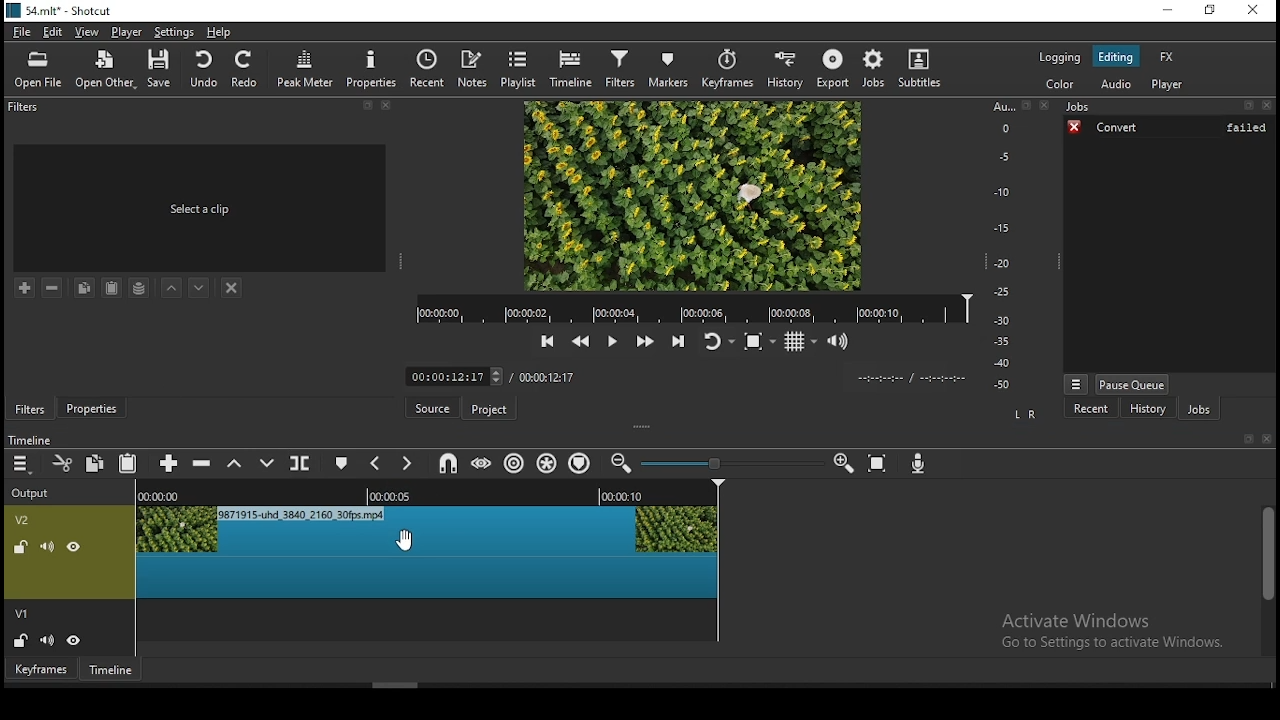 Image resolution: width=1280 pixels, height=720 pixels. Describe the element at coordinates (404, 541) in the screenshot. I see `cursor` at that location.